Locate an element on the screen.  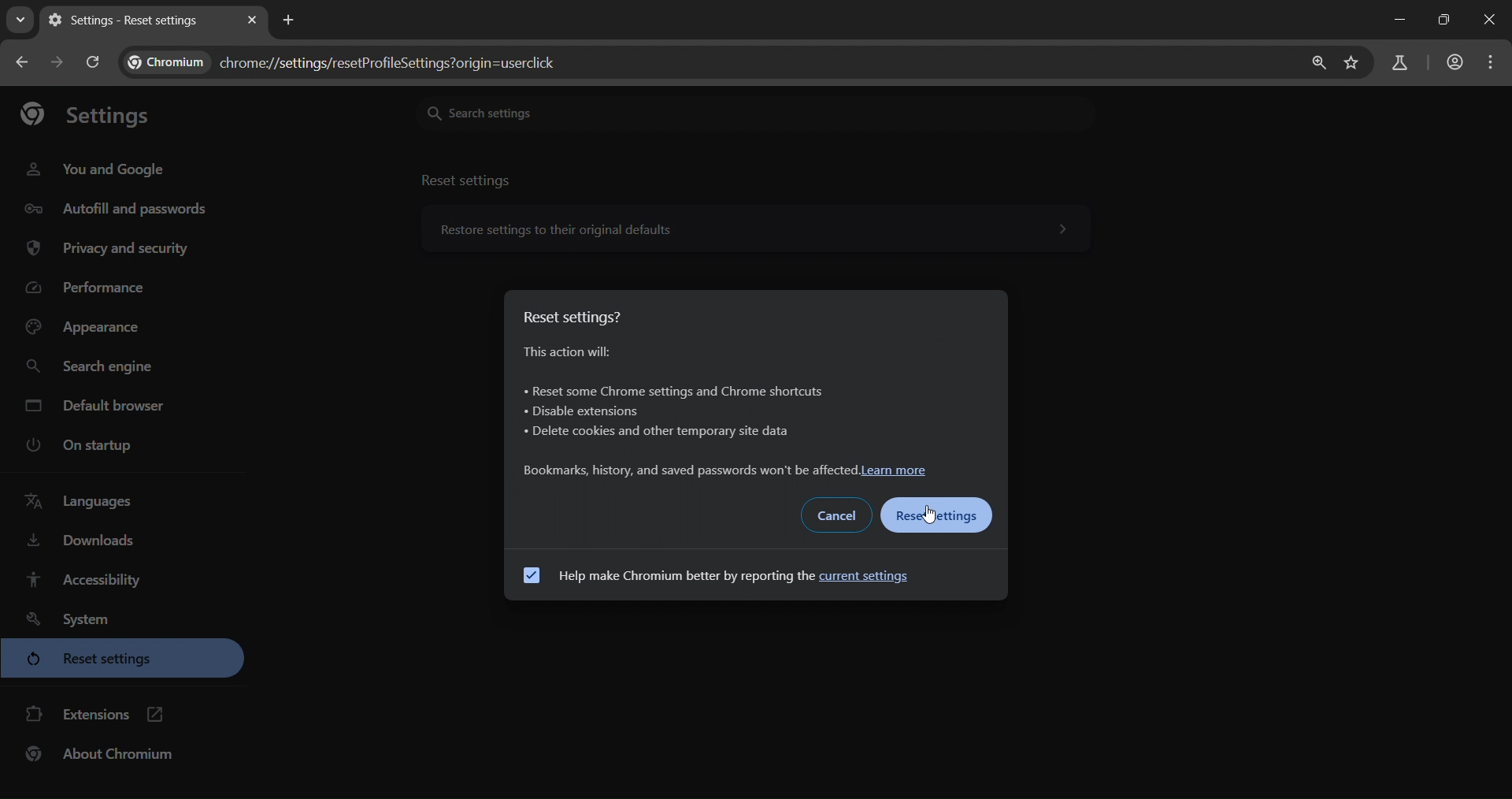
you and google is located at coordinates (100, 168).